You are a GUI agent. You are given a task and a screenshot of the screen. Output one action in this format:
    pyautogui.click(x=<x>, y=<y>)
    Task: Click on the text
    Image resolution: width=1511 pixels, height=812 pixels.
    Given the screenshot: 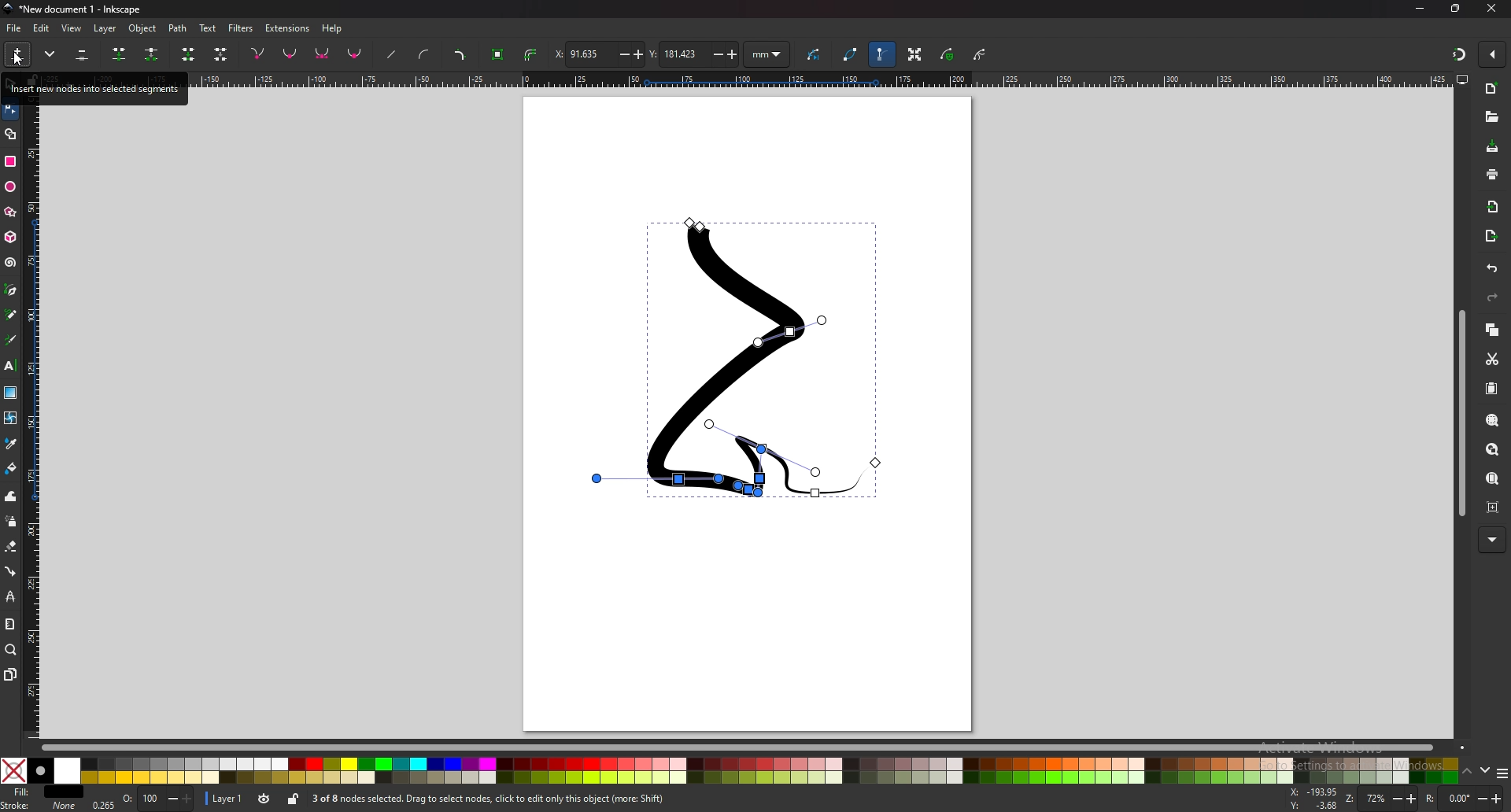 What is the action you would take?
    pyautogui.click(x=11, y=366)
    